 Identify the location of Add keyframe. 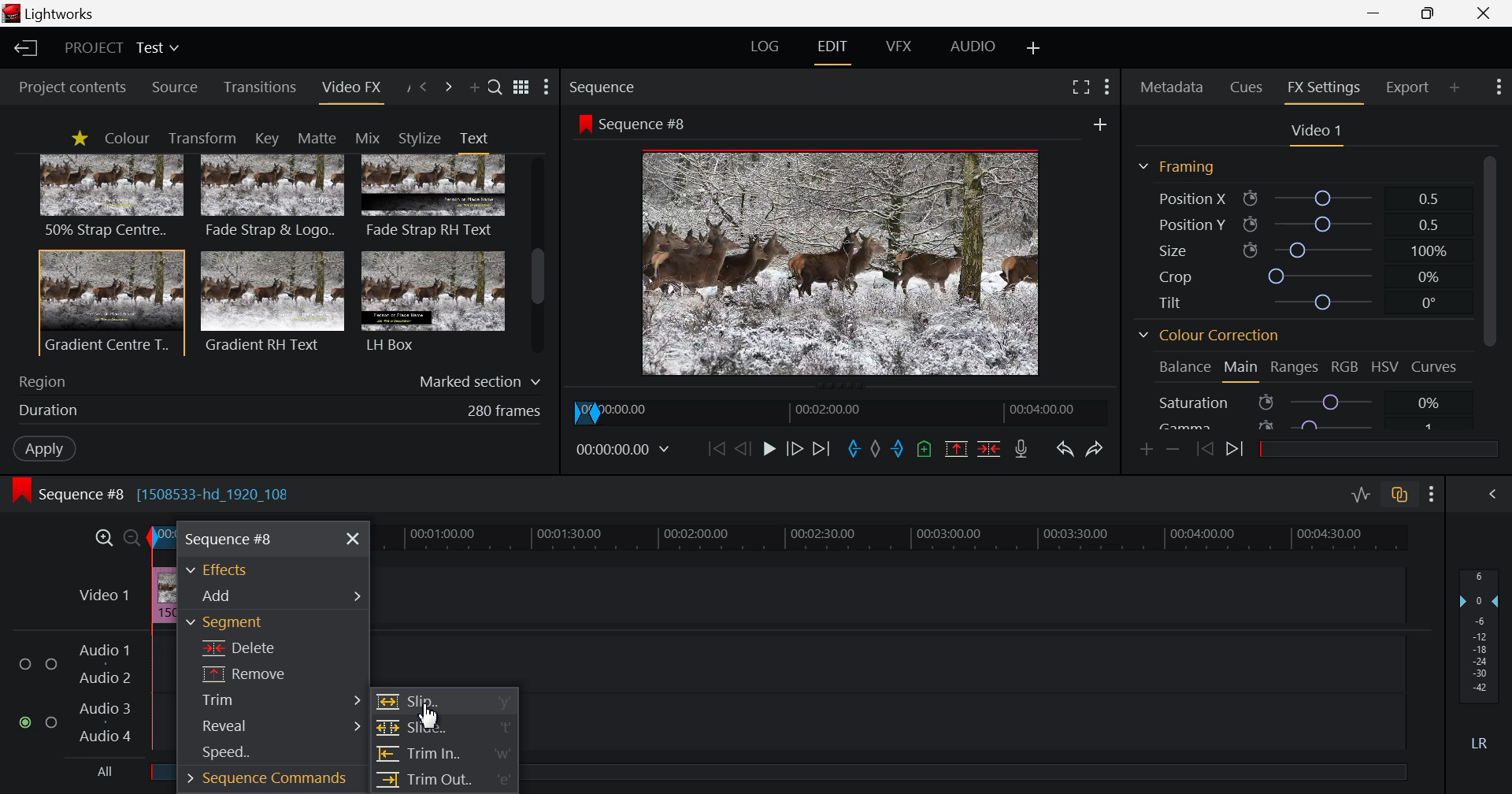
(1143, 448).